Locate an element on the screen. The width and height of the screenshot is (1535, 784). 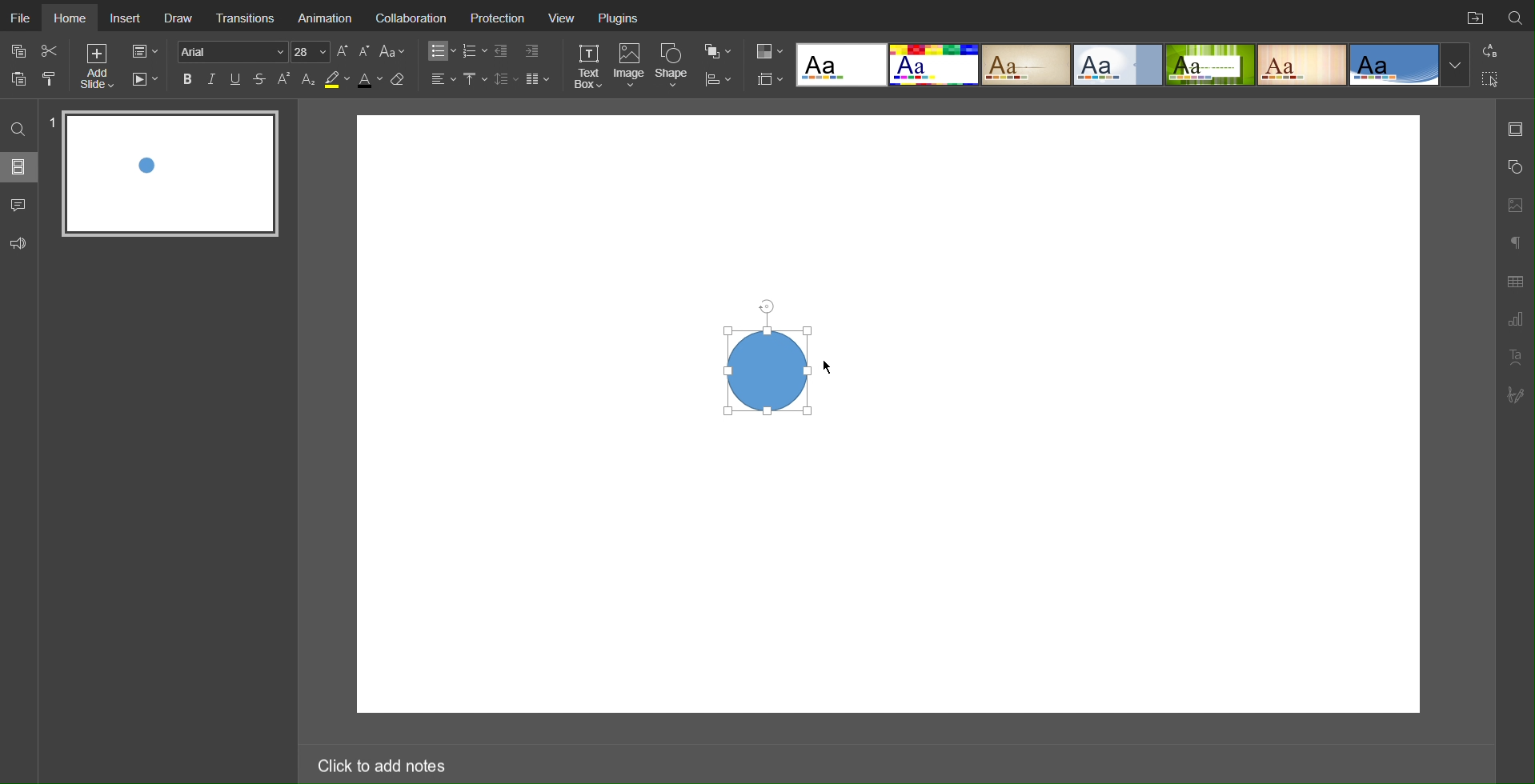
Search is located at coordinates (20, 128).